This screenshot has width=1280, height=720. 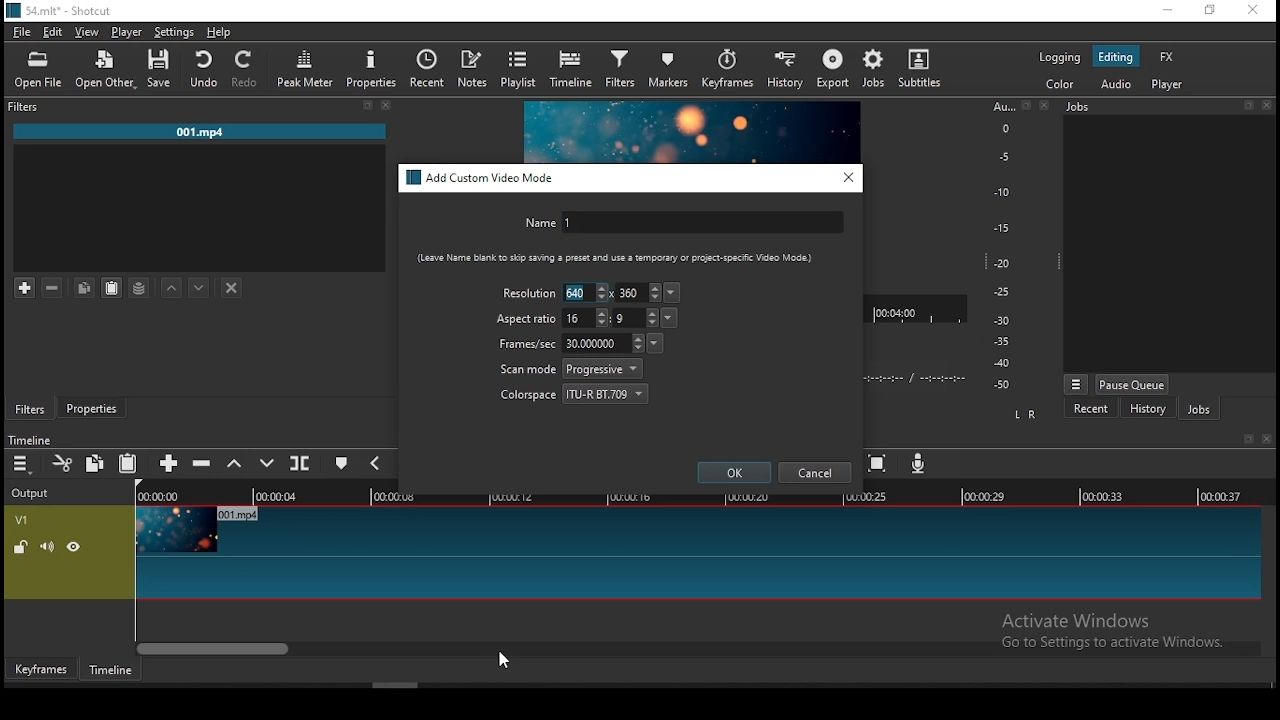 I want to click on restore, so click(x=367, y=106).